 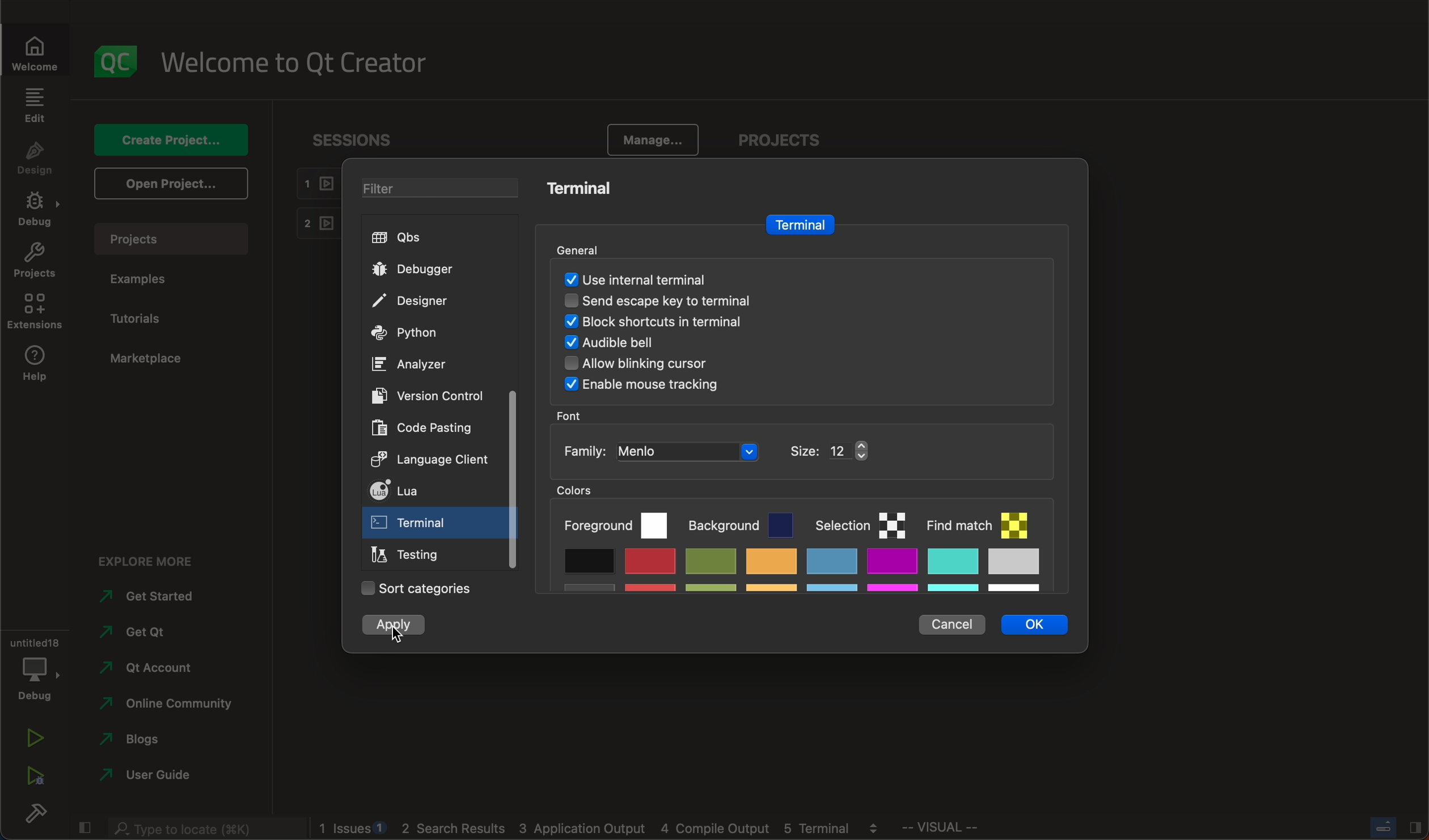 I want to click on send escape key, so click(x=675, y=299).